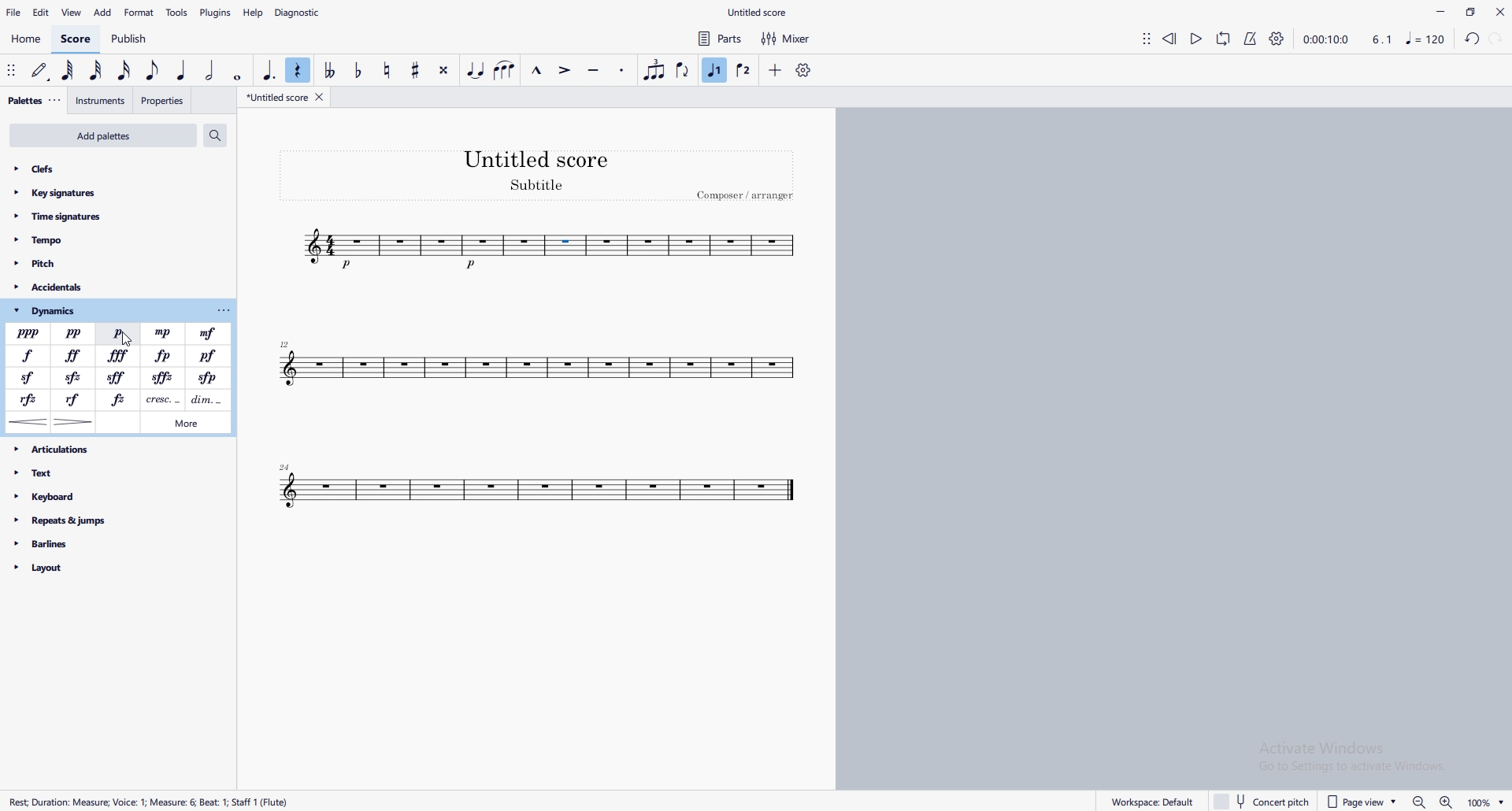 Image resolution: width=1512 pixels, height=811 pixels. Describe the element at coordinates (476, 72) in the screenshot. I see `tie` at that location.